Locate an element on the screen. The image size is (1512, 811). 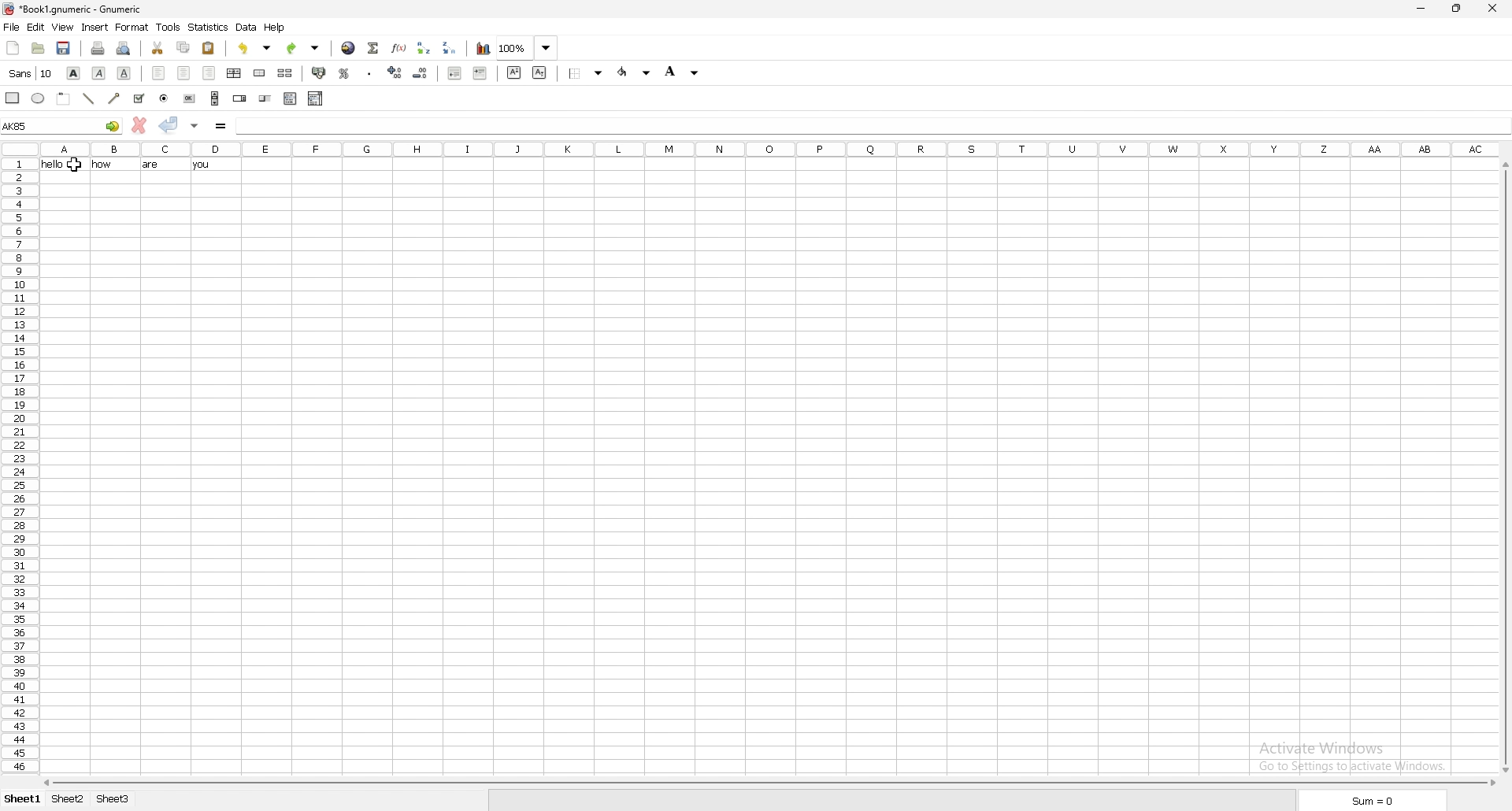
you is located at coordinates (202, 165).